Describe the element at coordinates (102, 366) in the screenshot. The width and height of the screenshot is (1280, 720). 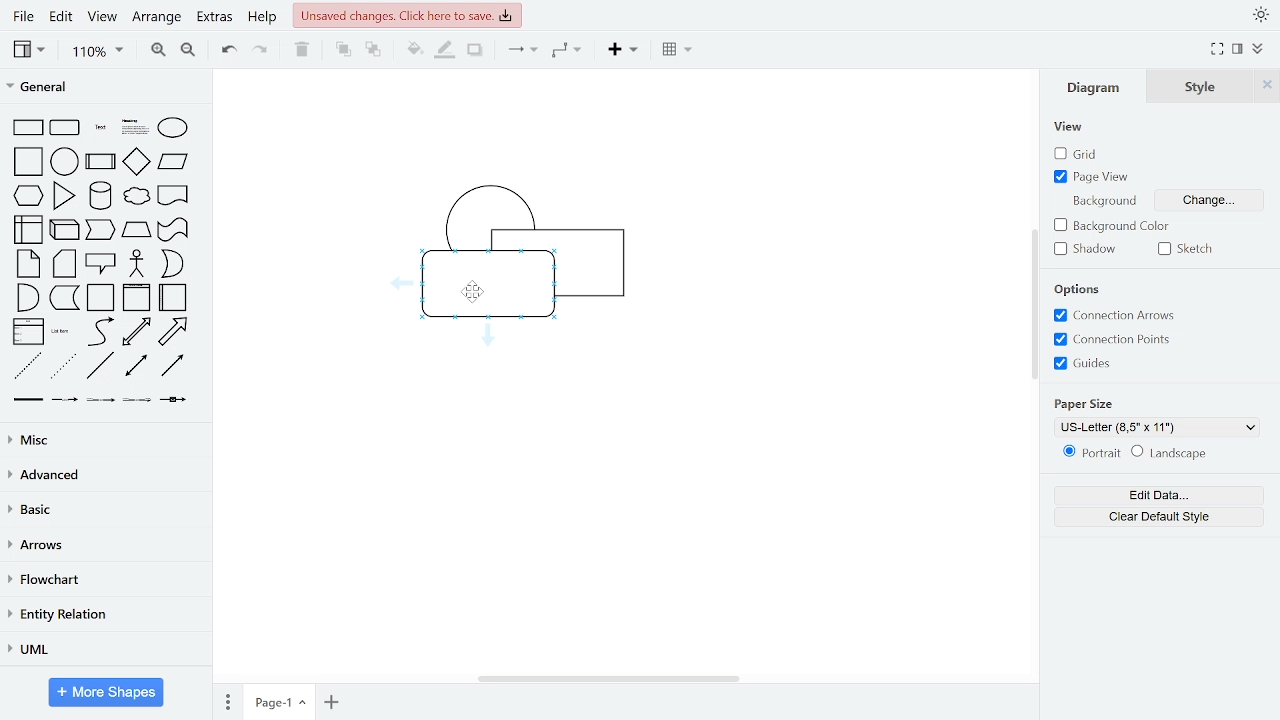
I see `line` at that location.